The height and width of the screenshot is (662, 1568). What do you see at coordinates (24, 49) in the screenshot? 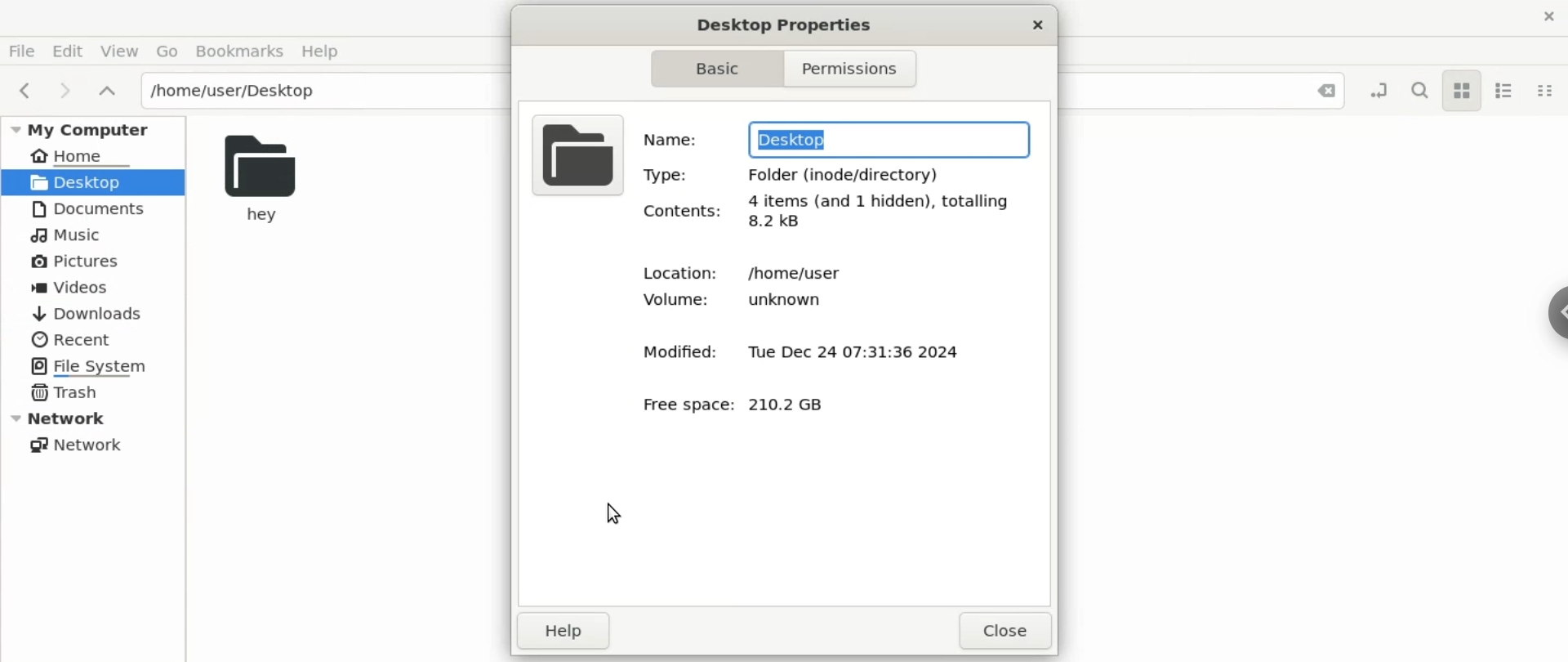
I see `file` at bounding box center [24, 49].